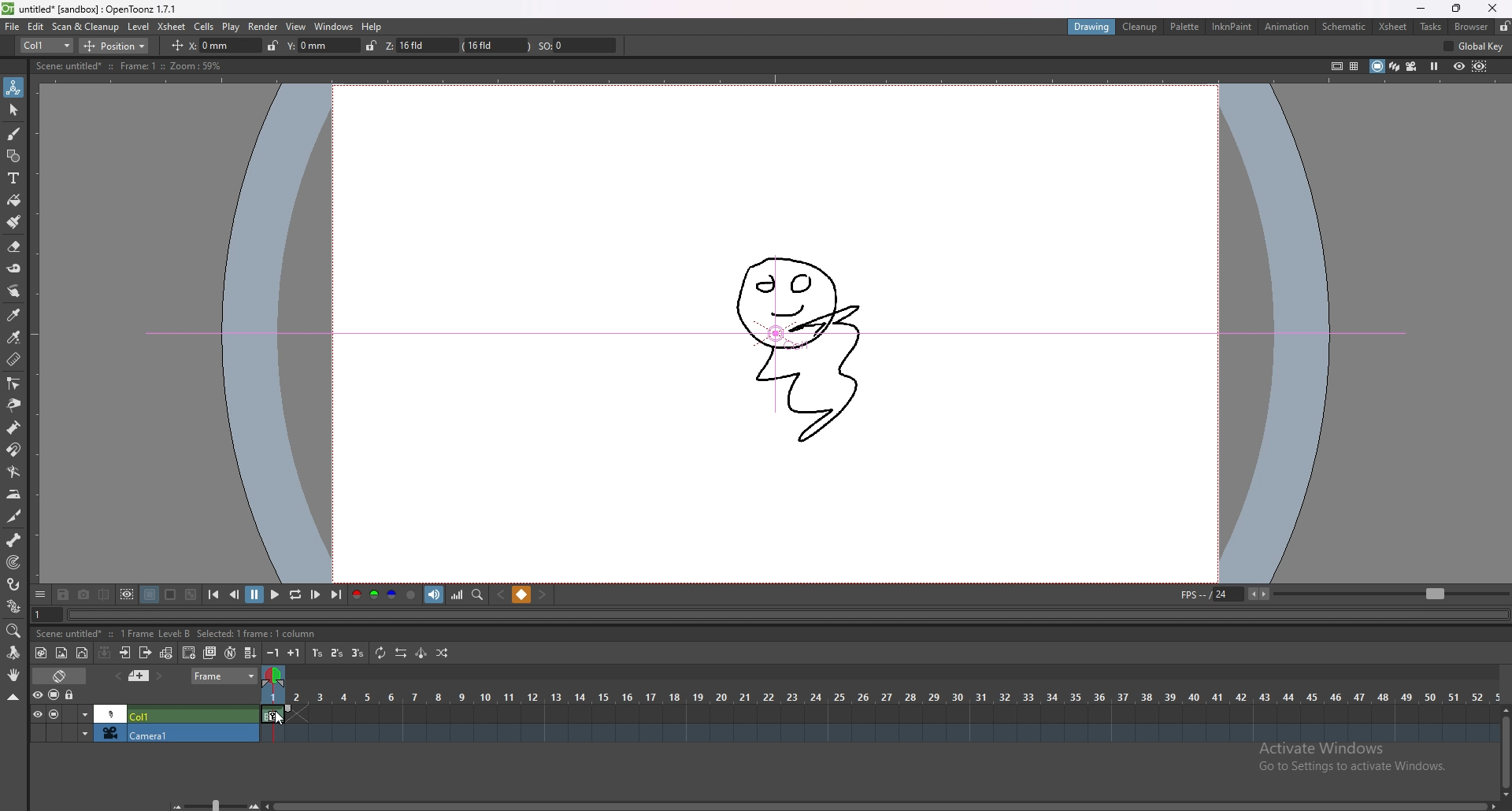  Describe the element at coordinates (436, 595) in the screenshot. I see `soundtrack` at that location.